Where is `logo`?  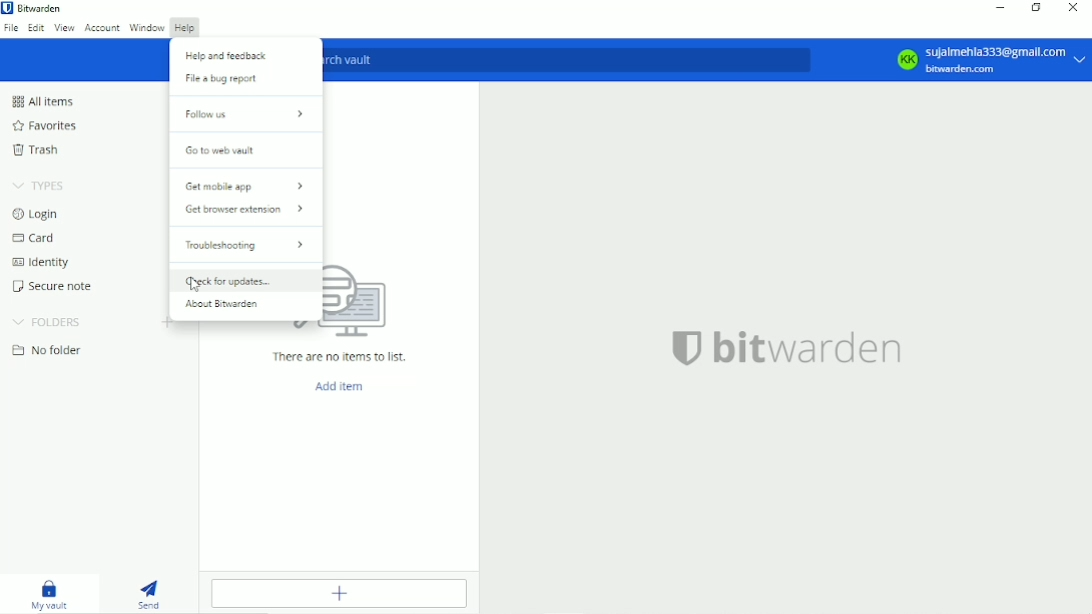
logo is located at coordinates (367, 303).